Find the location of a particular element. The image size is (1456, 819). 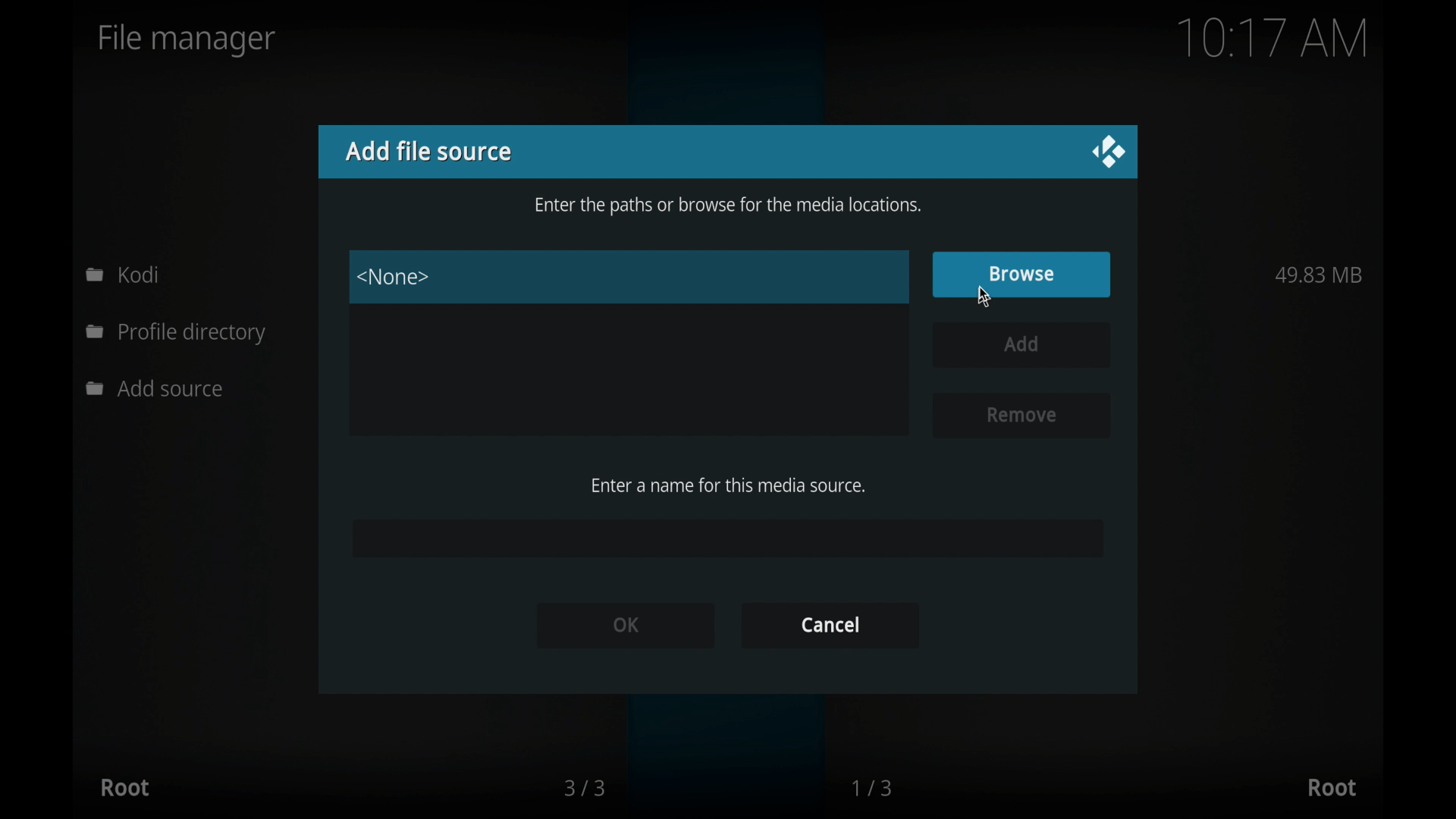

add source is located at coordinates (158, 389).